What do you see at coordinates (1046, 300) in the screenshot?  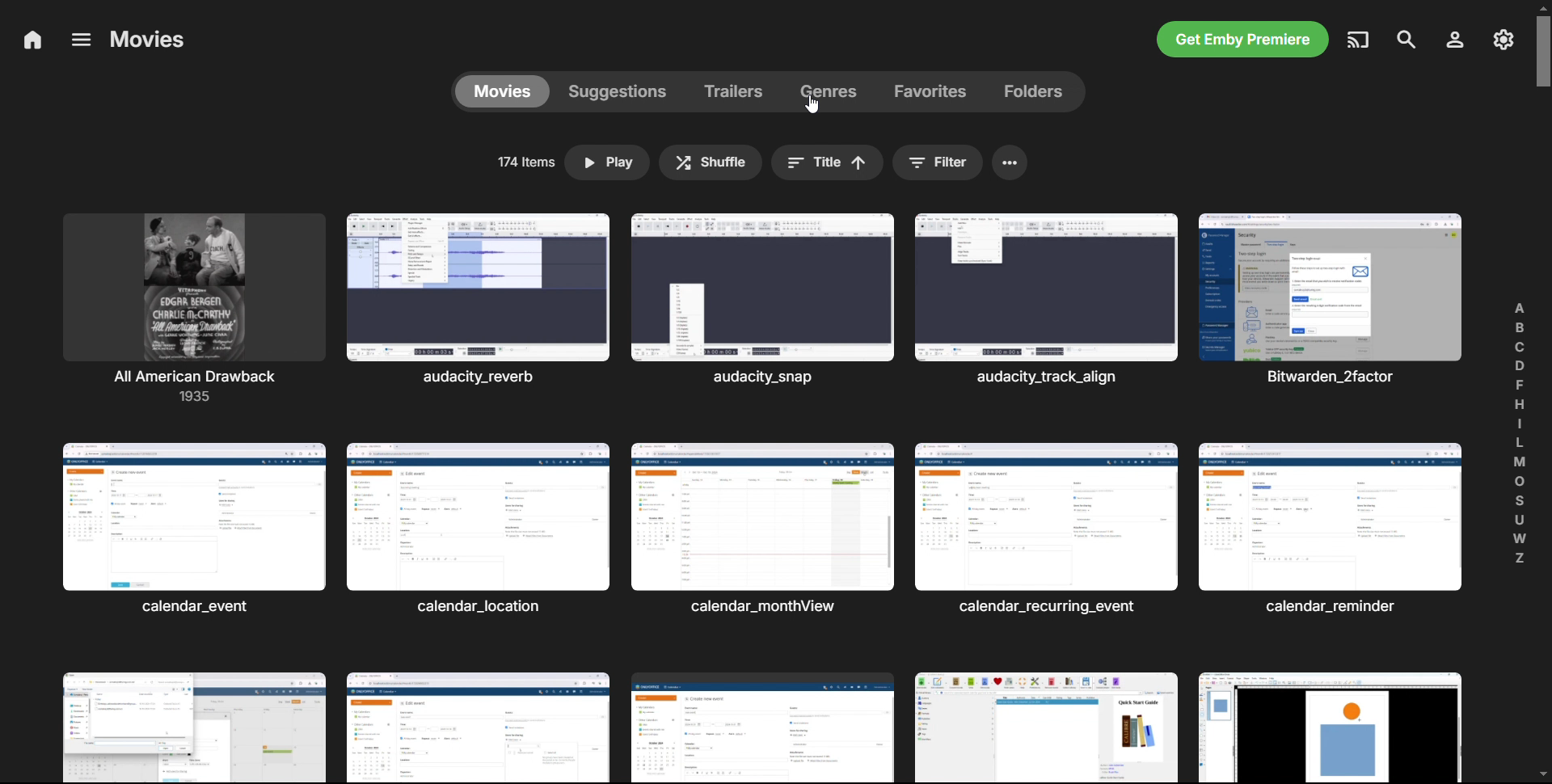 I see `audacity_track_align` at bounding box center [1046, 300].